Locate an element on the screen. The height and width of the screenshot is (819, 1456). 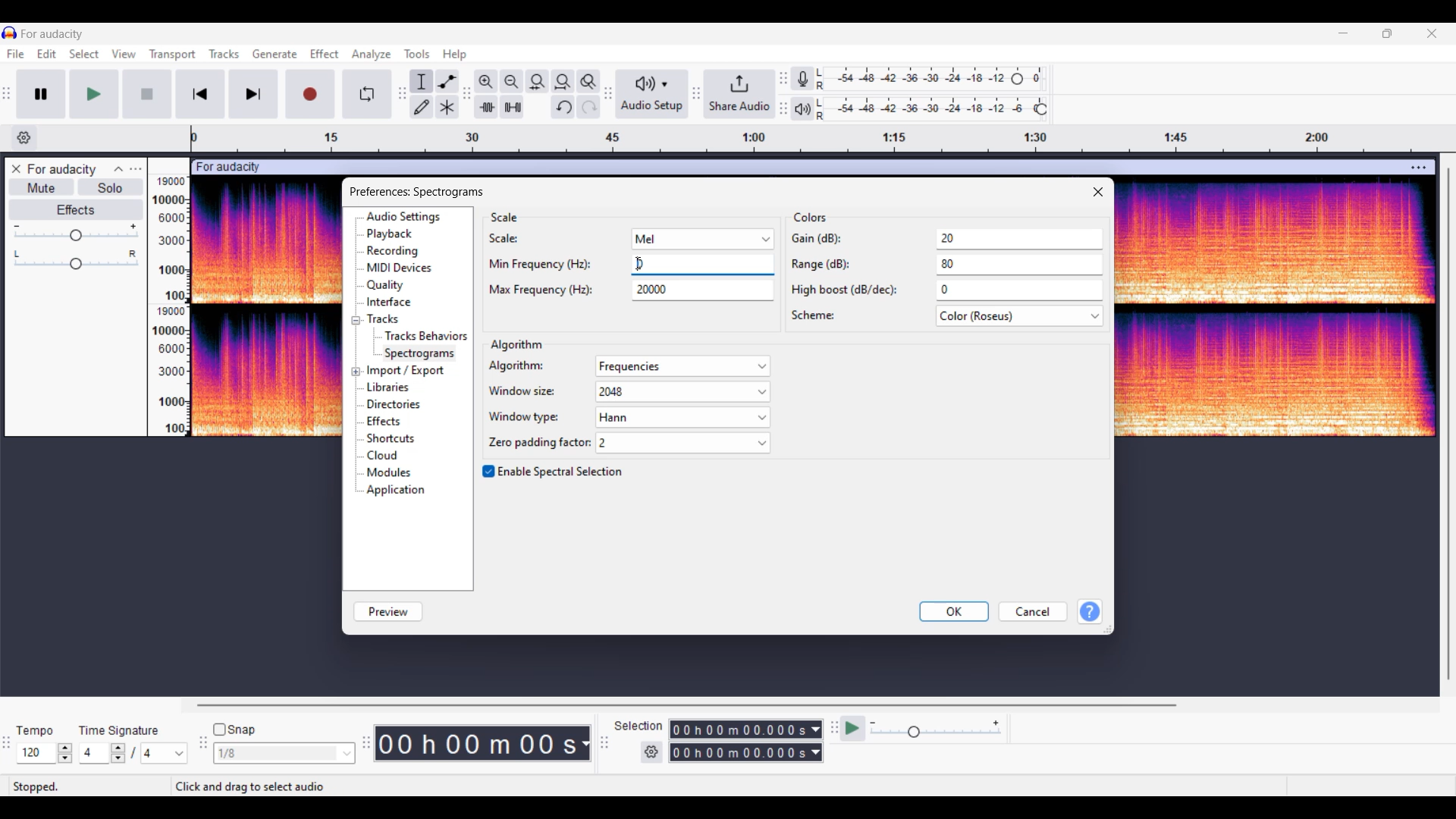
Zoom out is located at coordinates (513, 82).